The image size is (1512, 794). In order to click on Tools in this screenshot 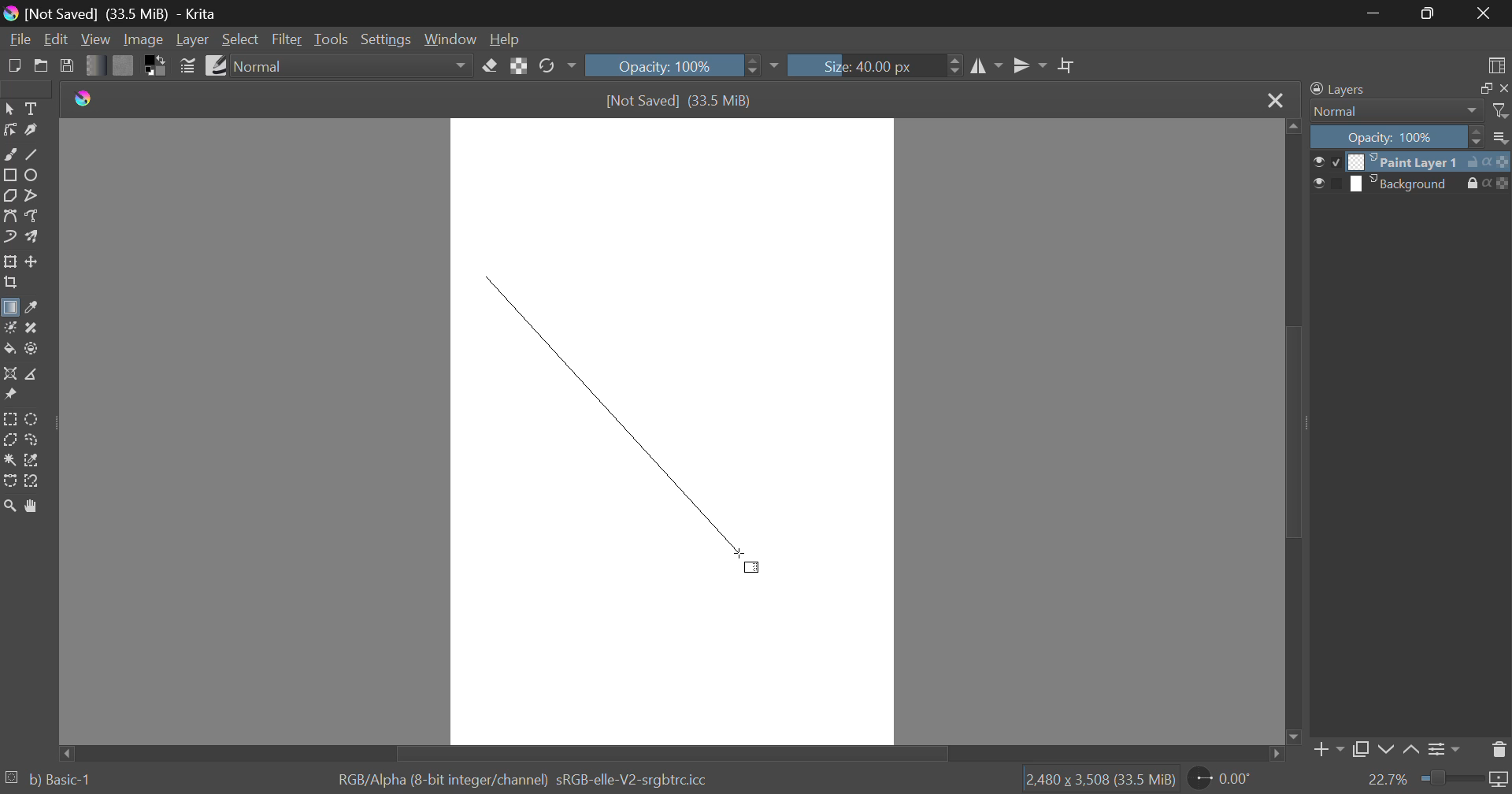, I will do `click(331, 39)`.